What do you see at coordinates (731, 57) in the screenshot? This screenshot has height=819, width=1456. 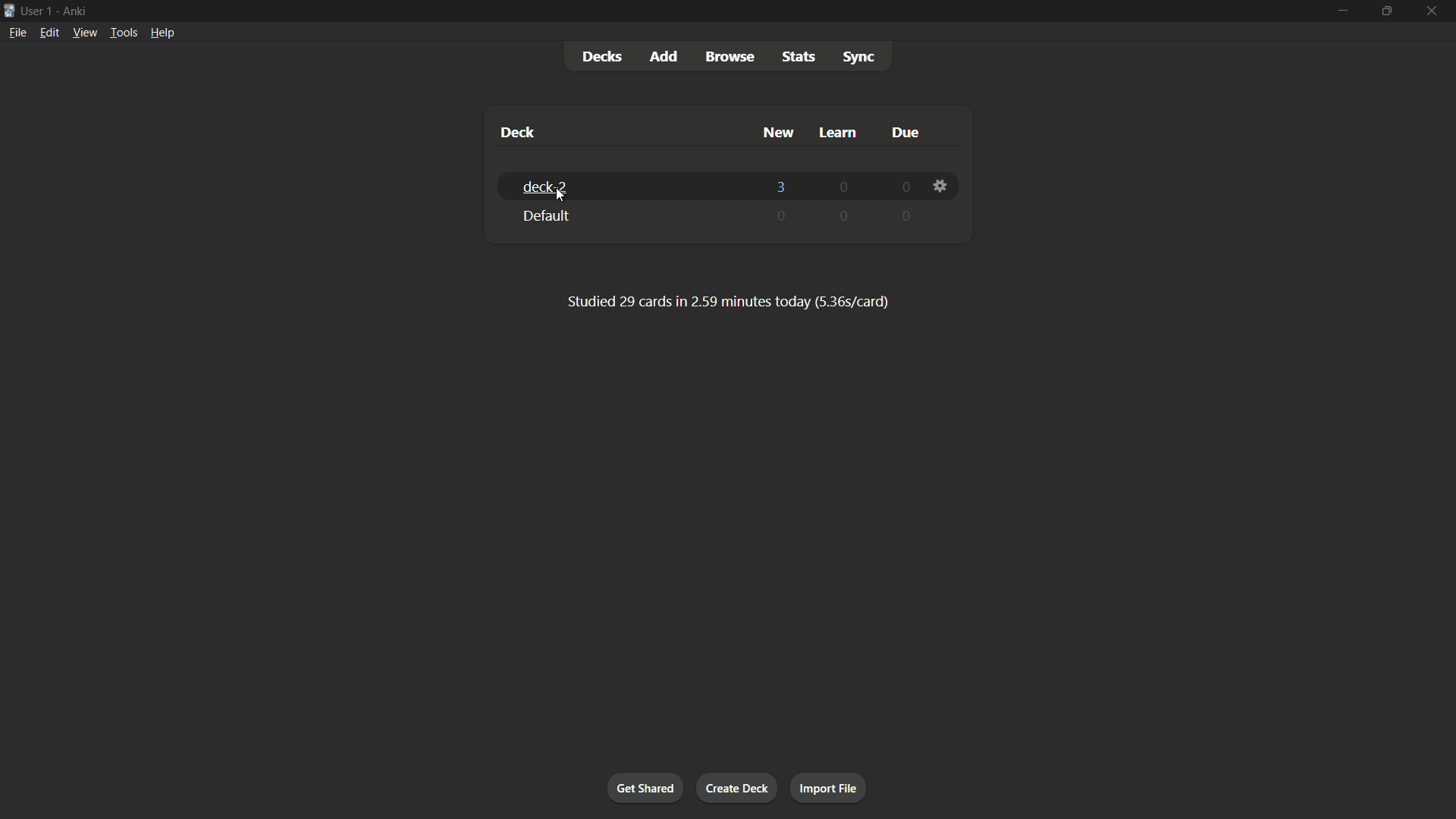 I see `browse` at bounding box center [731, 57].